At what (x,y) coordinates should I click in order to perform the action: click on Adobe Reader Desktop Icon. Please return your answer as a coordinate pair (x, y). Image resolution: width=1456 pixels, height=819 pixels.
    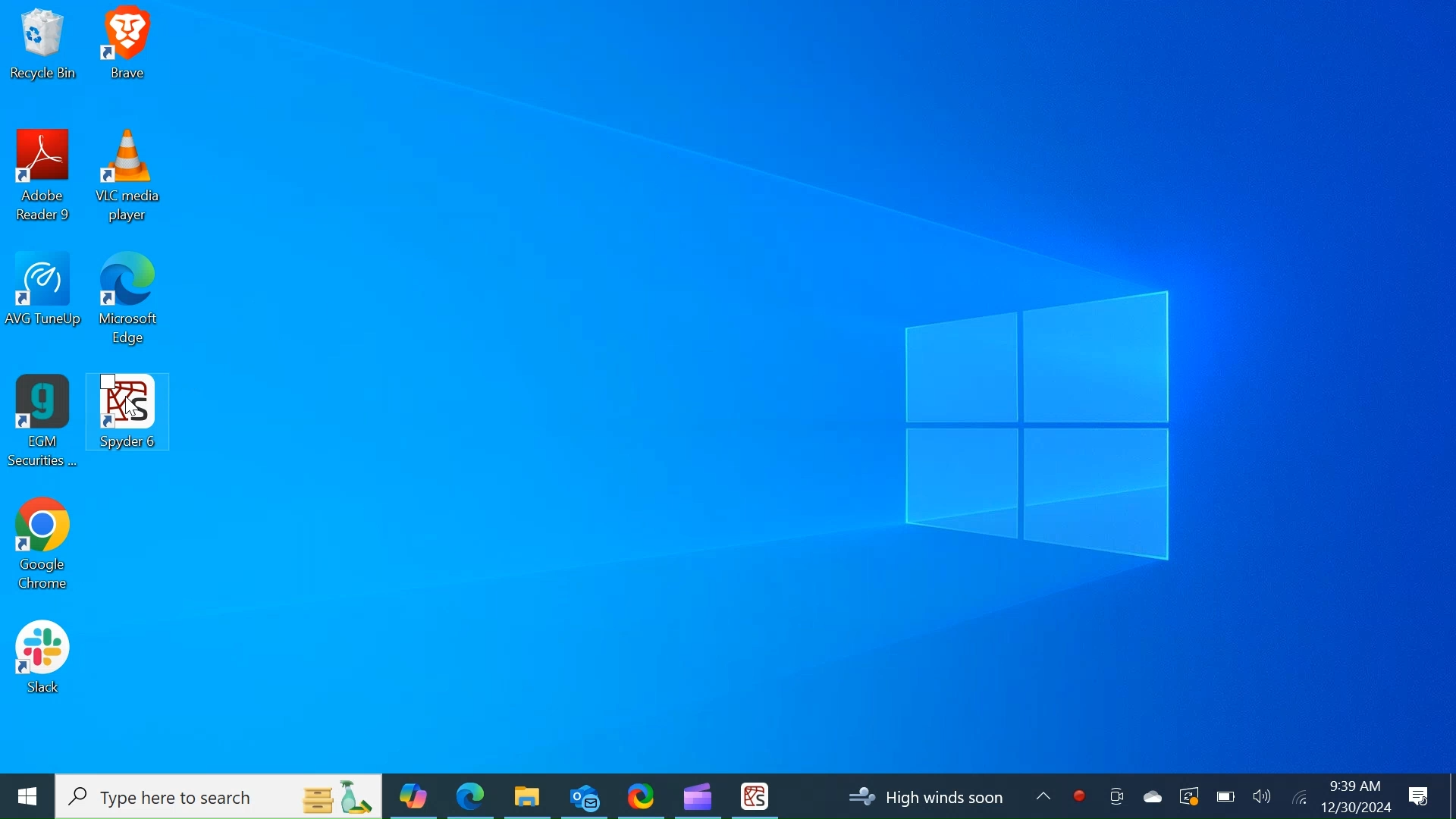
    Looking at the image, I should click on (45, 179).